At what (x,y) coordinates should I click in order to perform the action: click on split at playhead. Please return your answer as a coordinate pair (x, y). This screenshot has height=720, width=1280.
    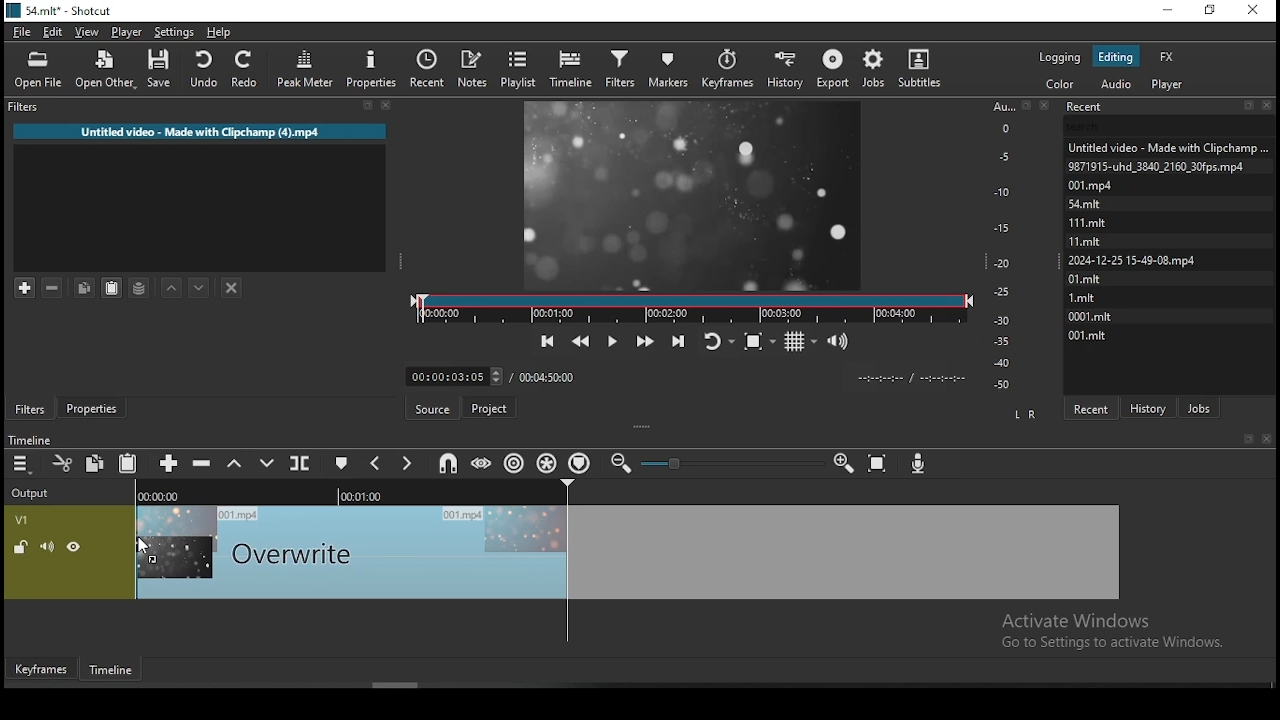
    Looking at the image, I should click on (302, 461).